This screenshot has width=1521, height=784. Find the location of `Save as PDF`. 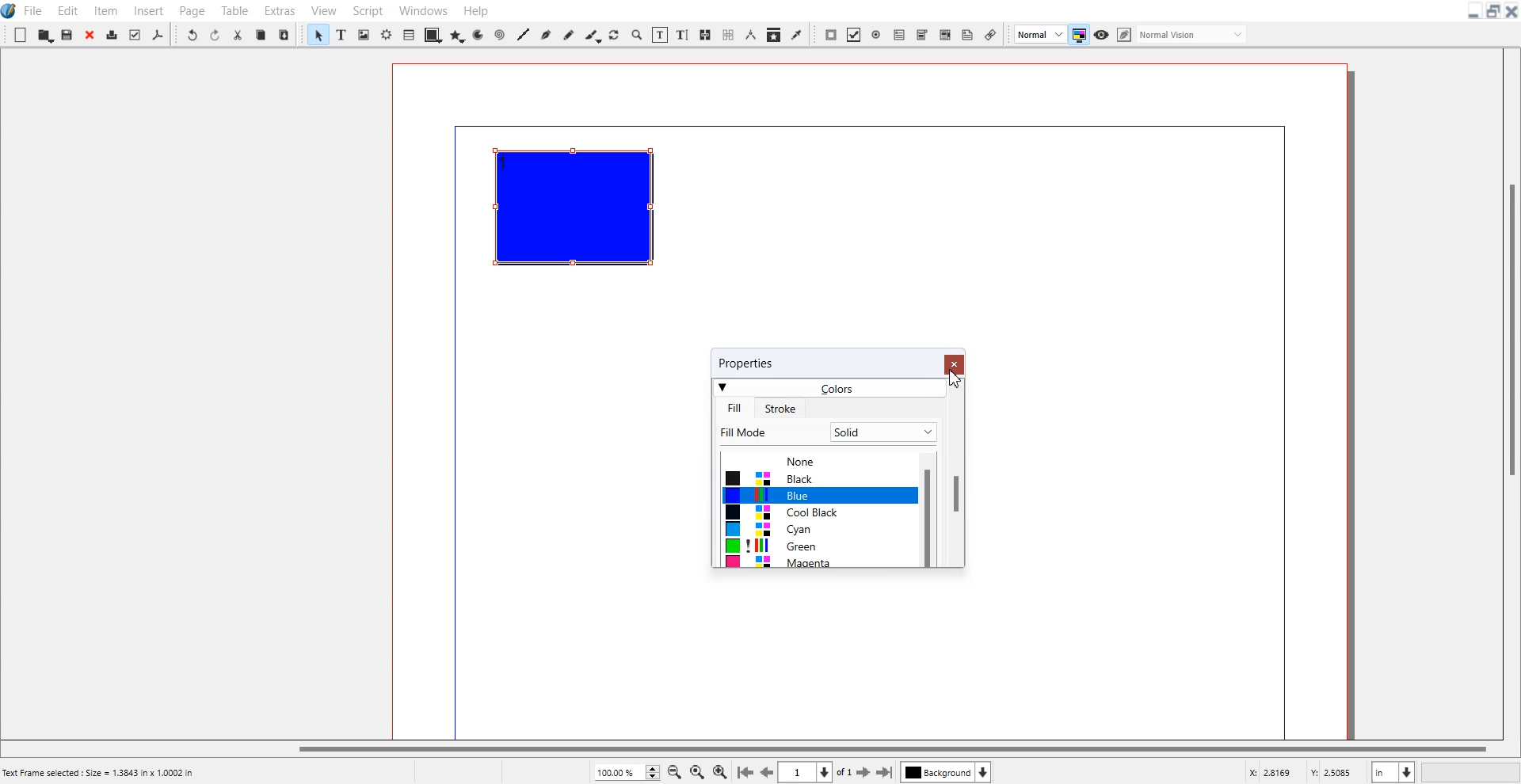

Save as PDF is located at coordinates (157, 34).